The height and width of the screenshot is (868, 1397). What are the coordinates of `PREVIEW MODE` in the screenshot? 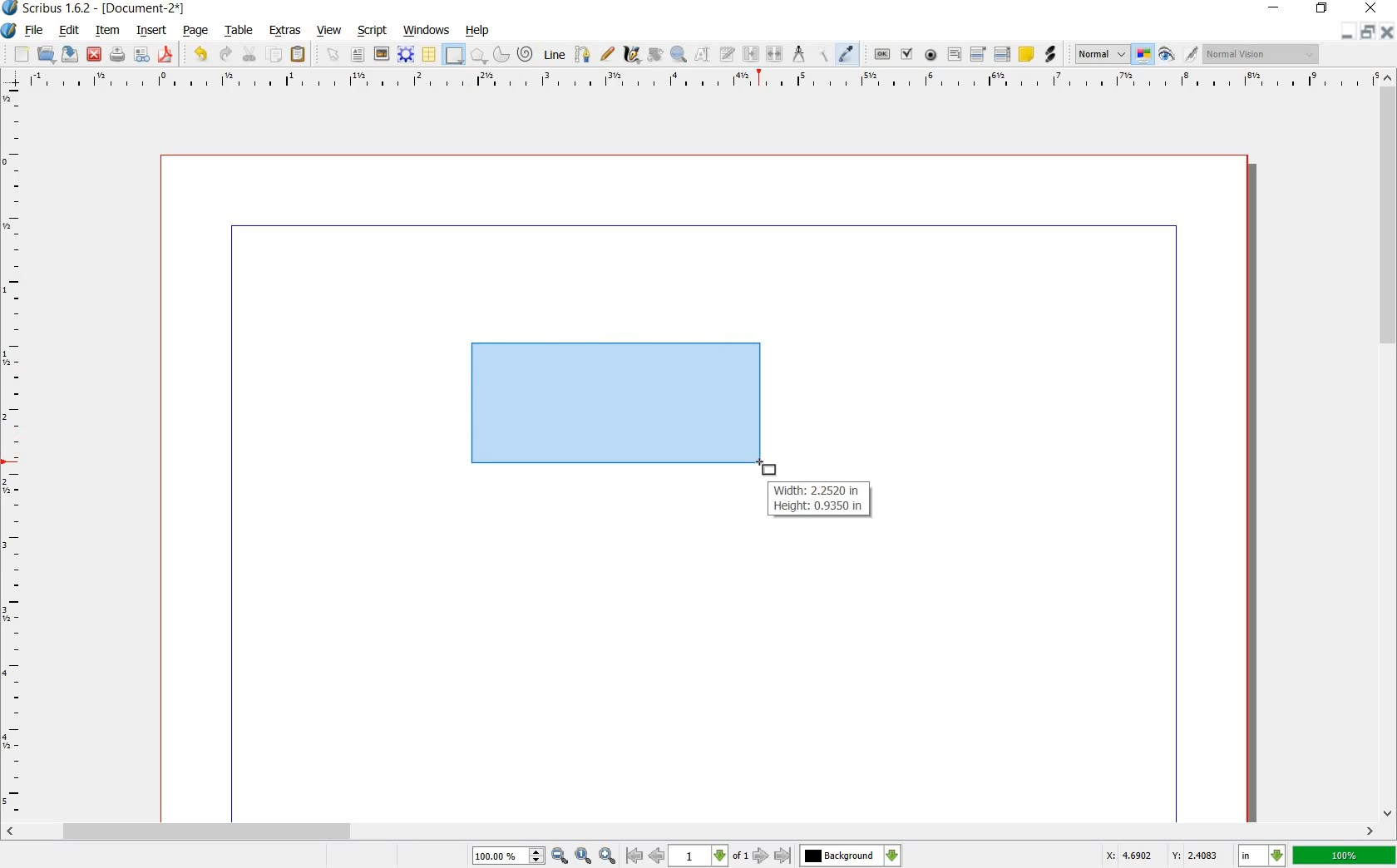 It's located at (1167, 55).